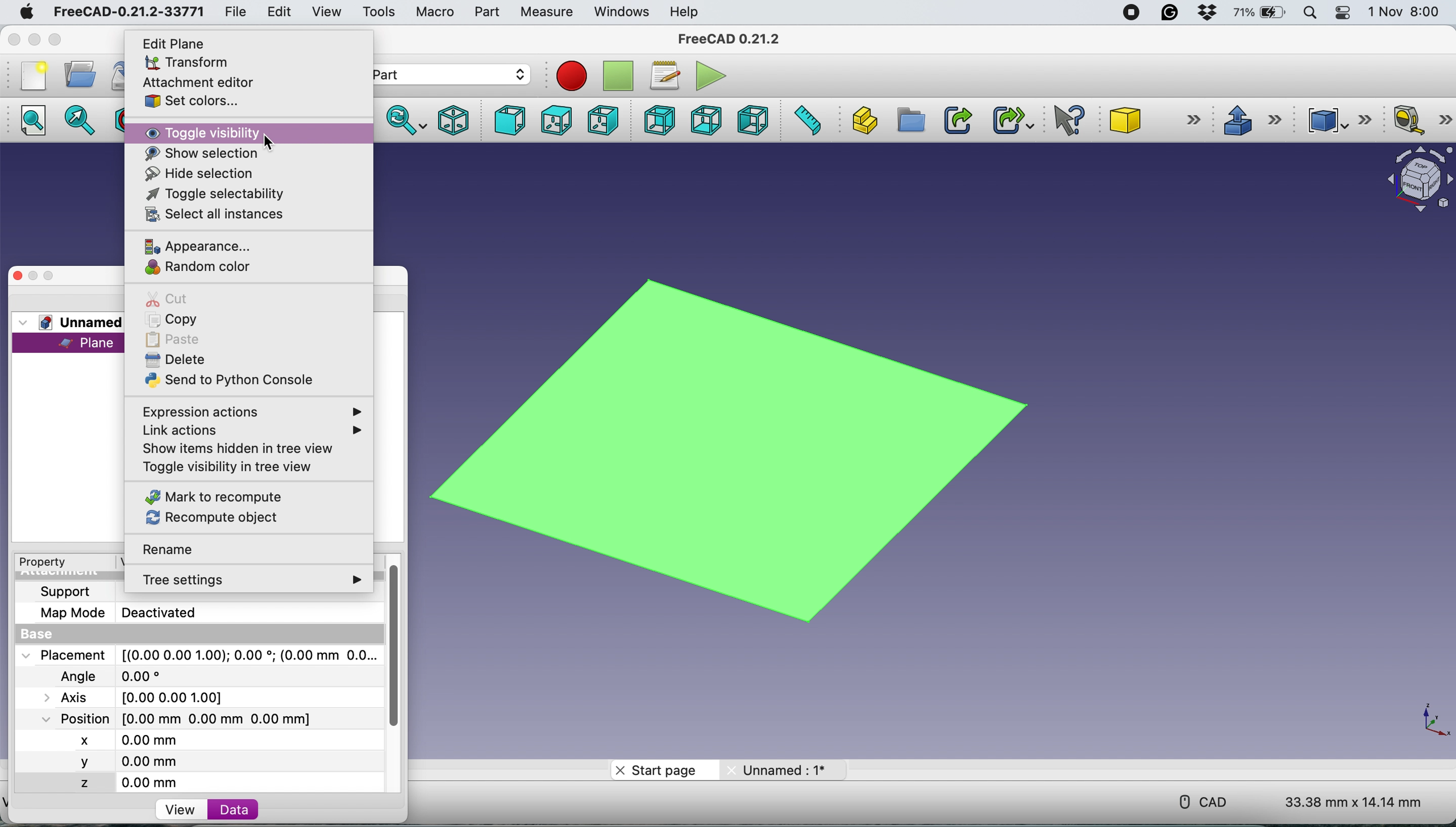  What do you see at coordinates (862, 119) in the screenshot?
I see `create part` at bounding box center [862, 119].